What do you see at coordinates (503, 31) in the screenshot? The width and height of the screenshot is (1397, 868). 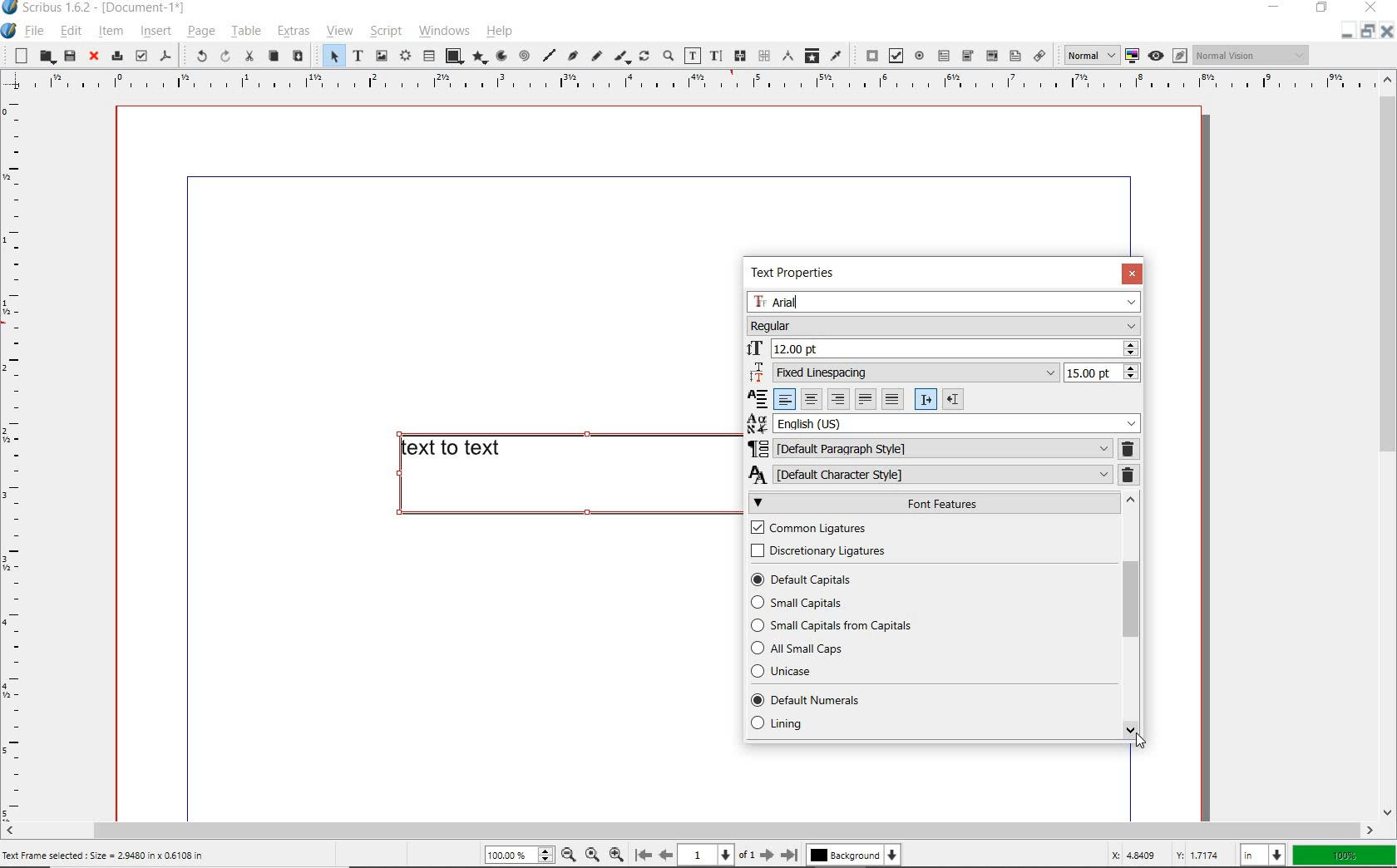 I see `help` at bounding box center [503, 31].